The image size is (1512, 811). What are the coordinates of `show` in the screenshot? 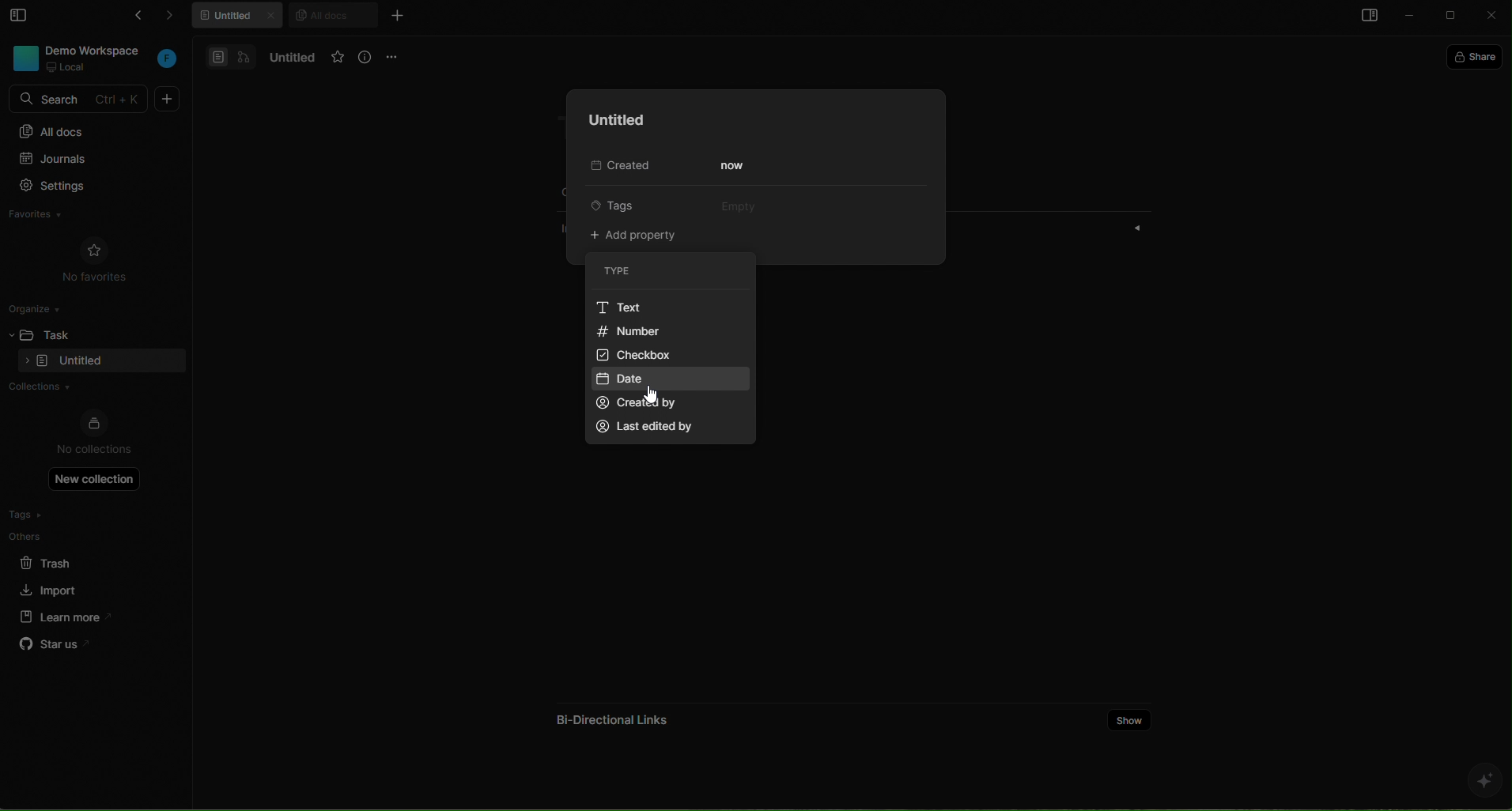 It's located at (1130, 719).